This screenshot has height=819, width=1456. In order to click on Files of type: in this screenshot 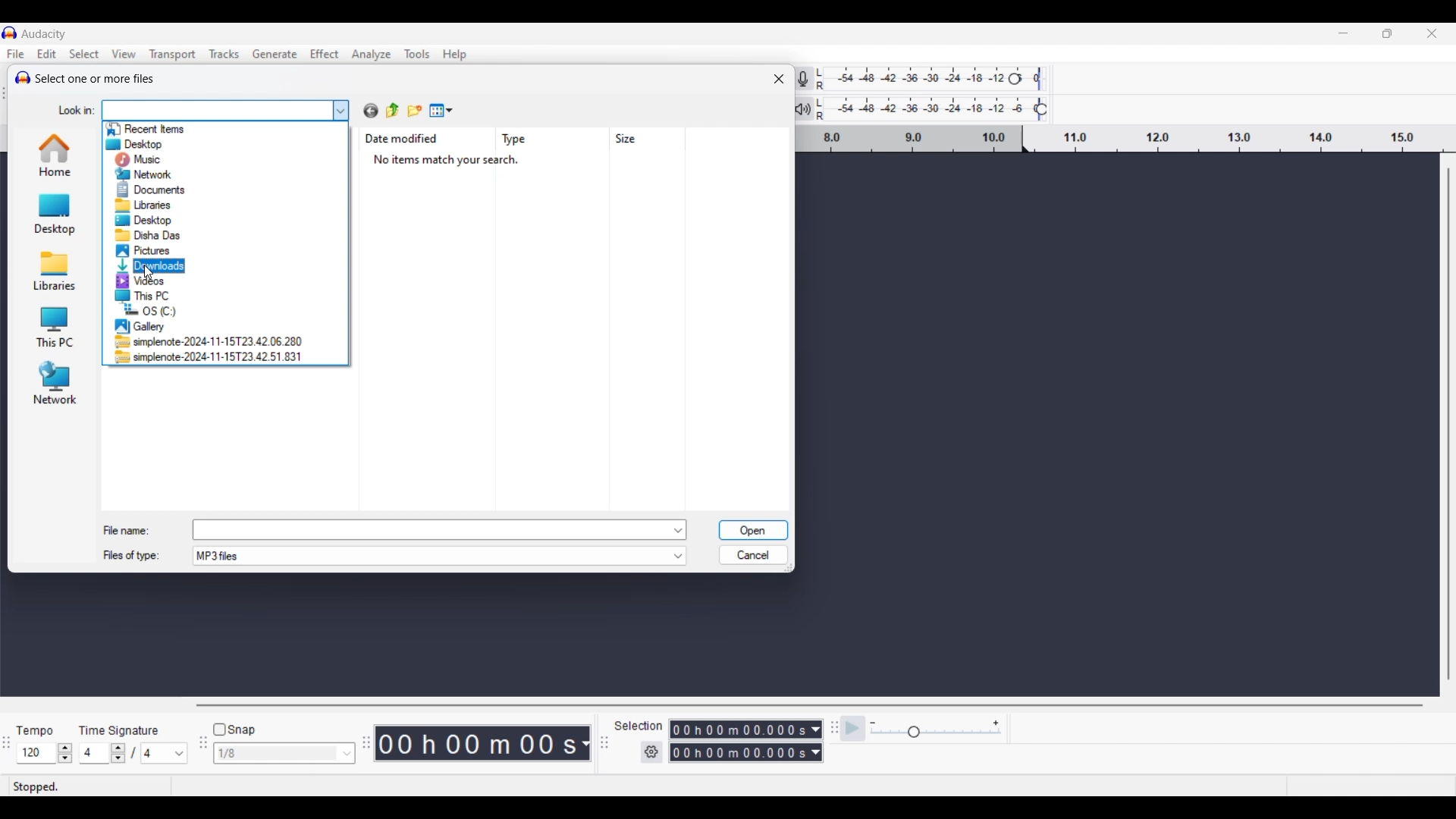, I will do `click(140, 557)`.